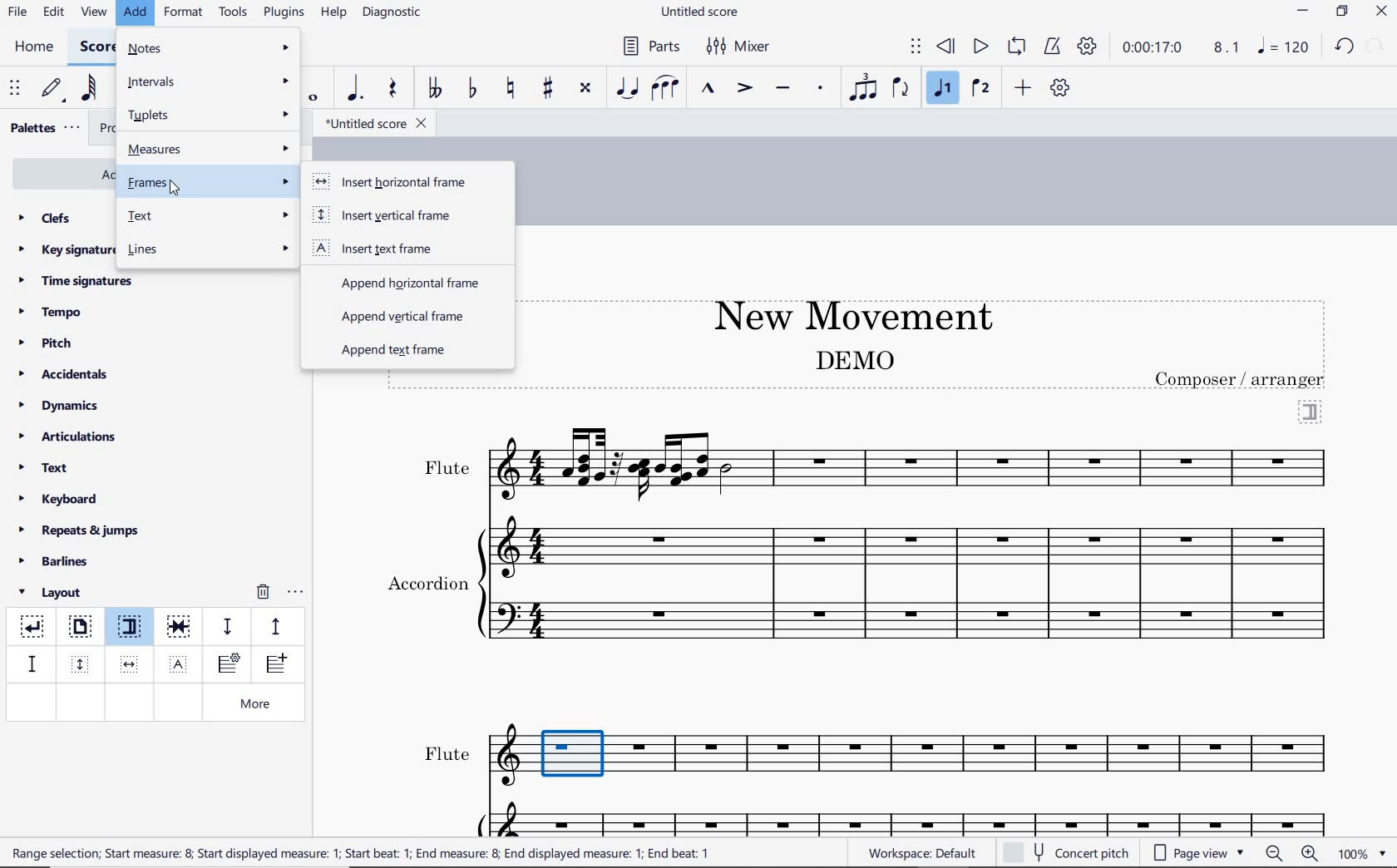 The width and height of the screenshot is (1397, 868). Describe the element at coordinates (79, 629) in the screenshot. I see `page break` at that location.